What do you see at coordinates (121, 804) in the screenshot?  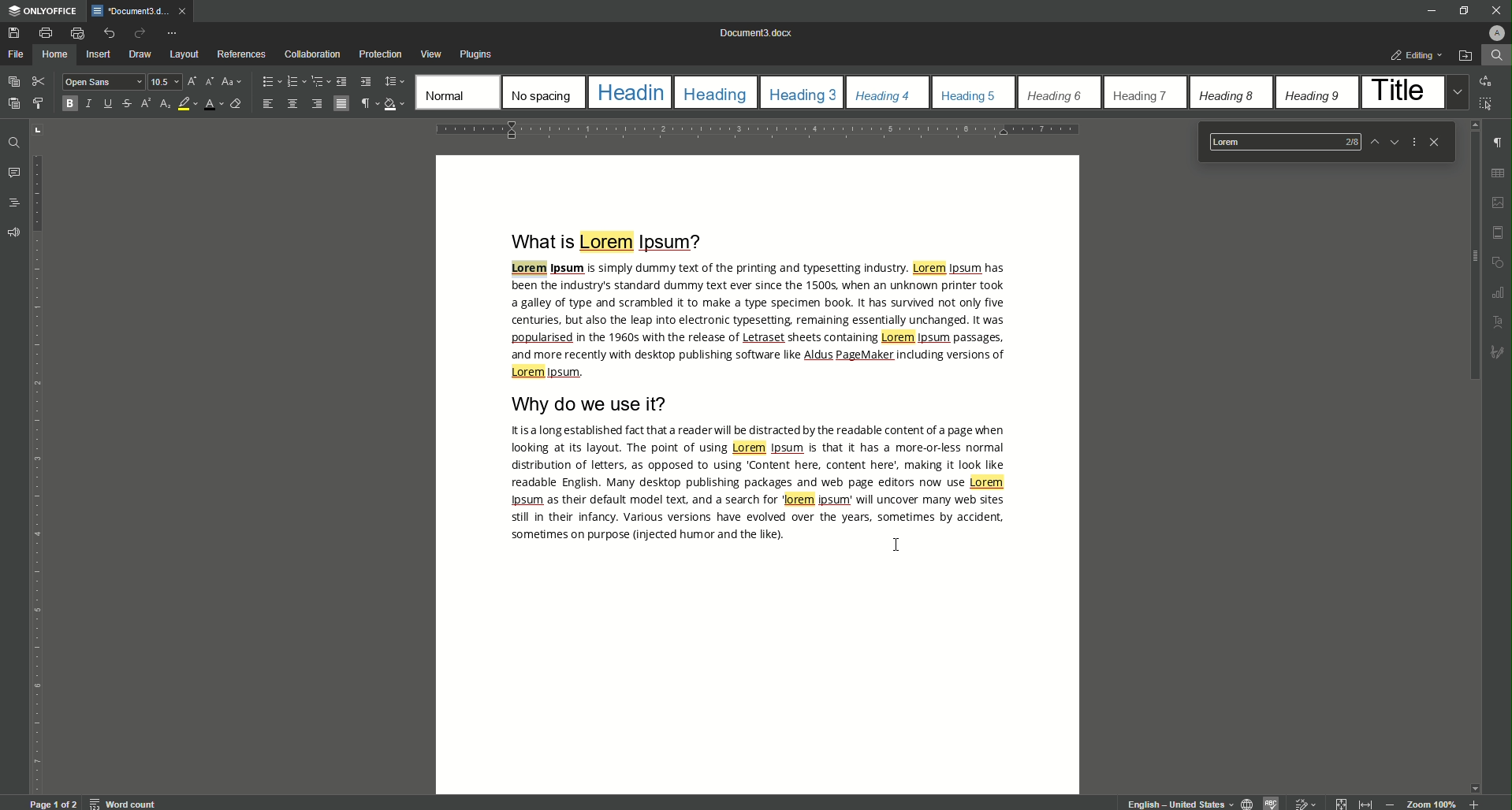 I see `word count` at bounding box center [121, 804].